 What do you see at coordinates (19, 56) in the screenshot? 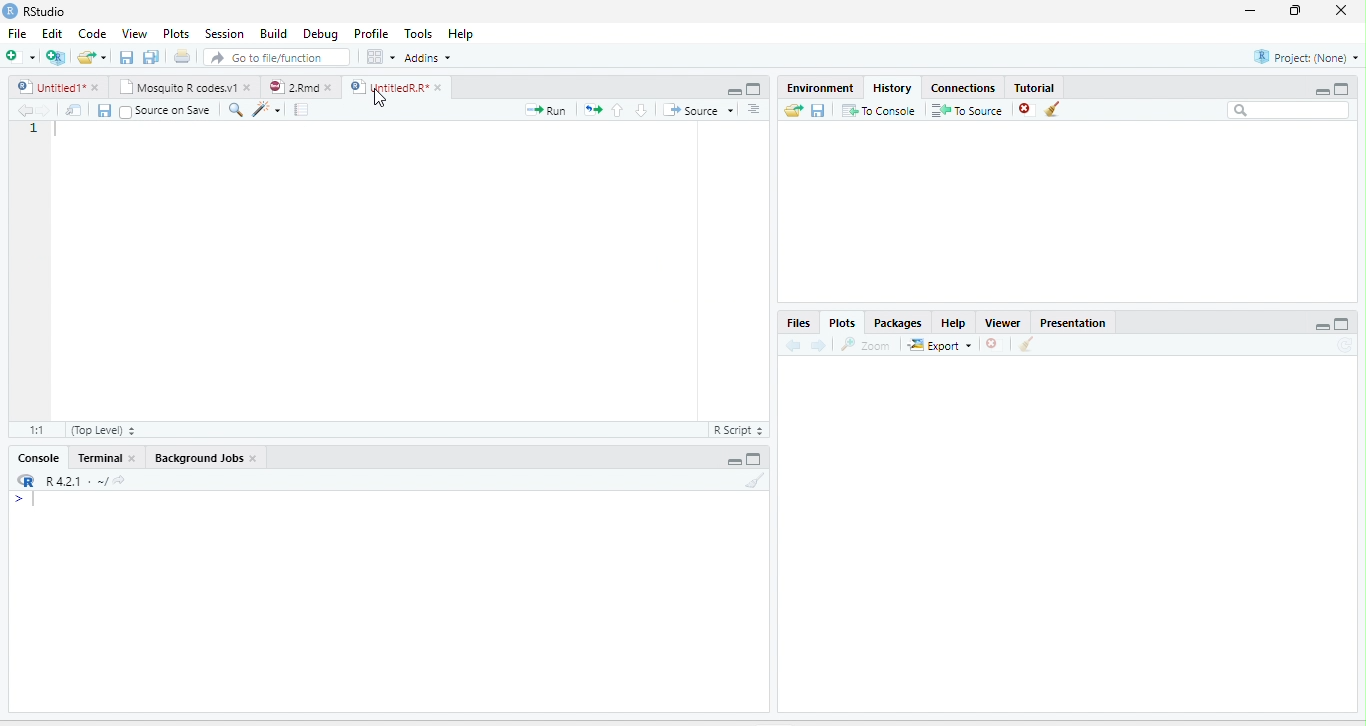
I see `New file` at bounding box center [19, 56].